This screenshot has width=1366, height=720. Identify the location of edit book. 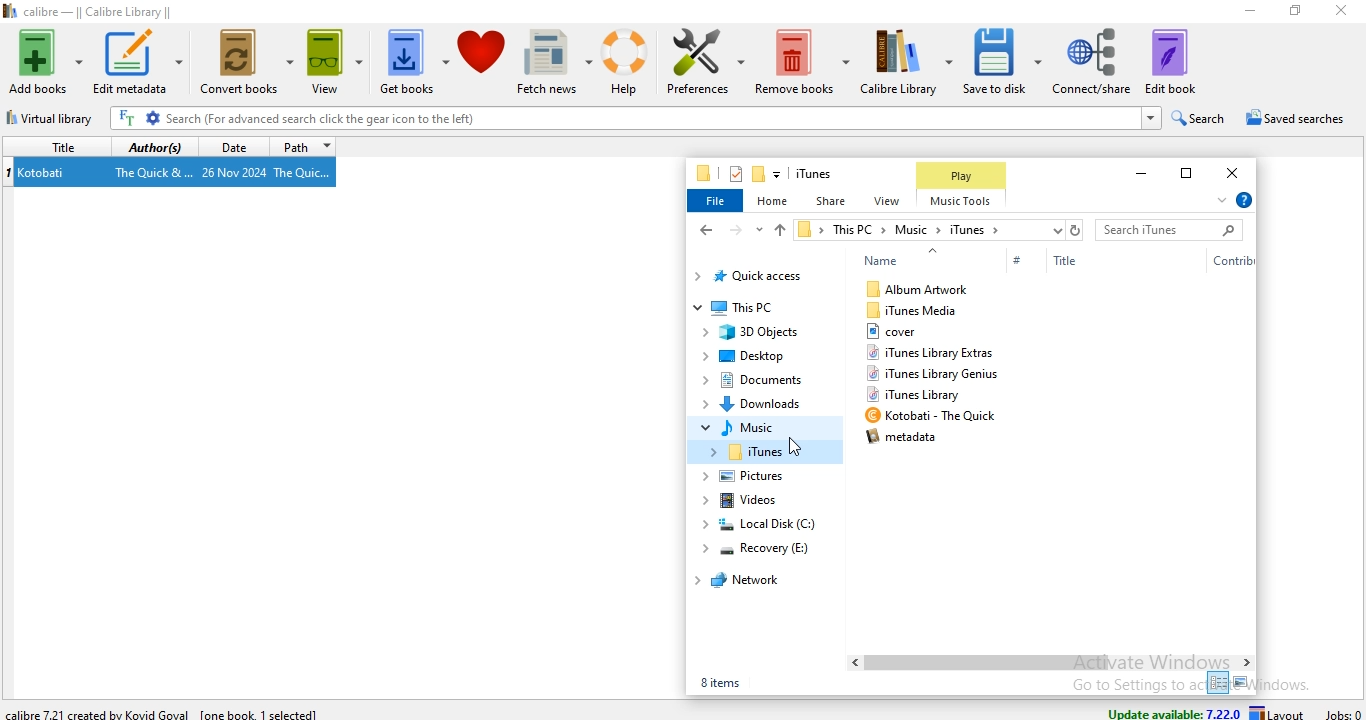
(1171, 61).